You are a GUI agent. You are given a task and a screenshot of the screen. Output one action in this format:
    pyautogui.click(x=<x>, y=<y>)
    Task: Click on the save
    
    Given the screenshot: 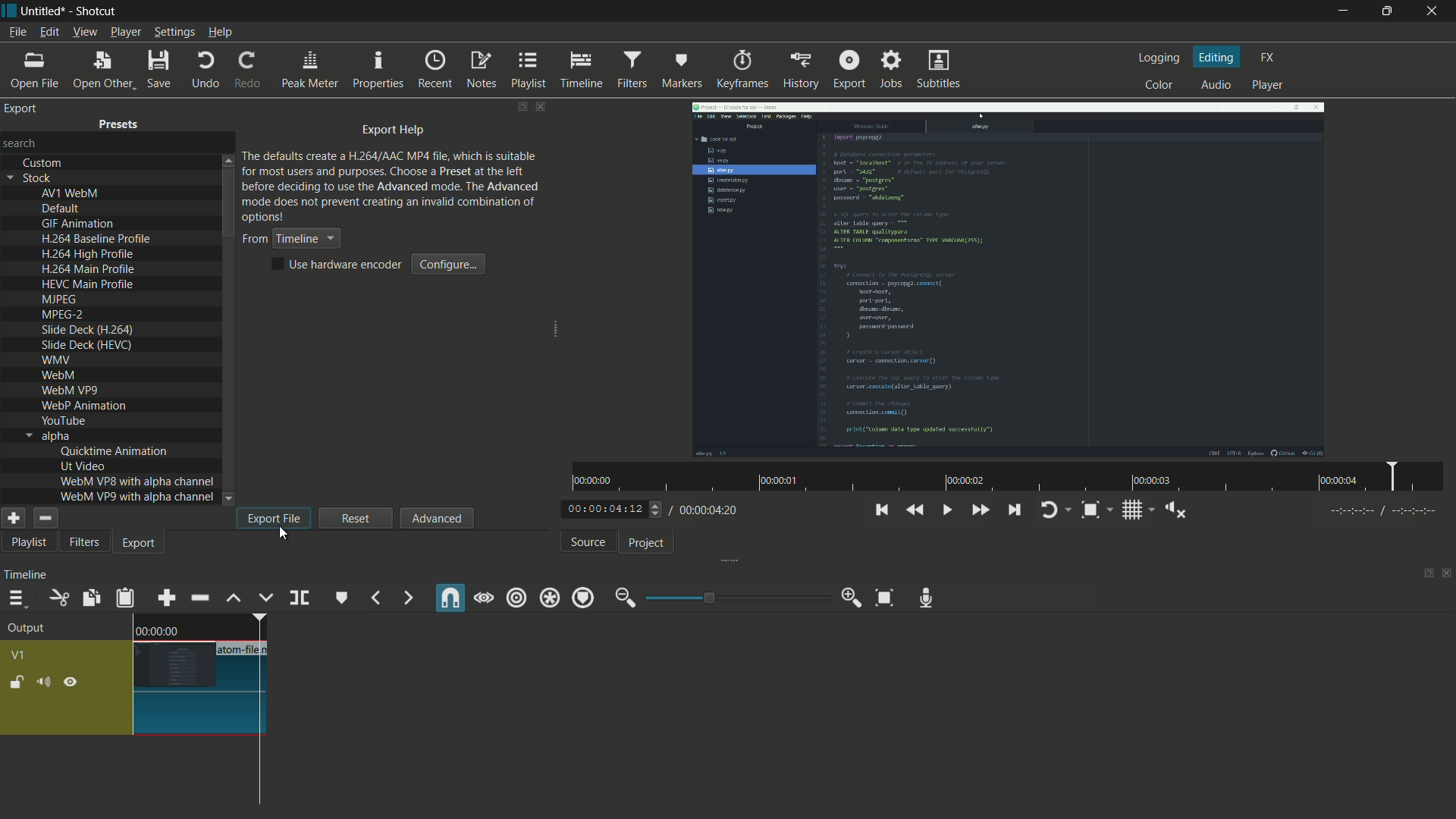 What is the action you would take?
    pyautogui.click(x=161, y=68)
    